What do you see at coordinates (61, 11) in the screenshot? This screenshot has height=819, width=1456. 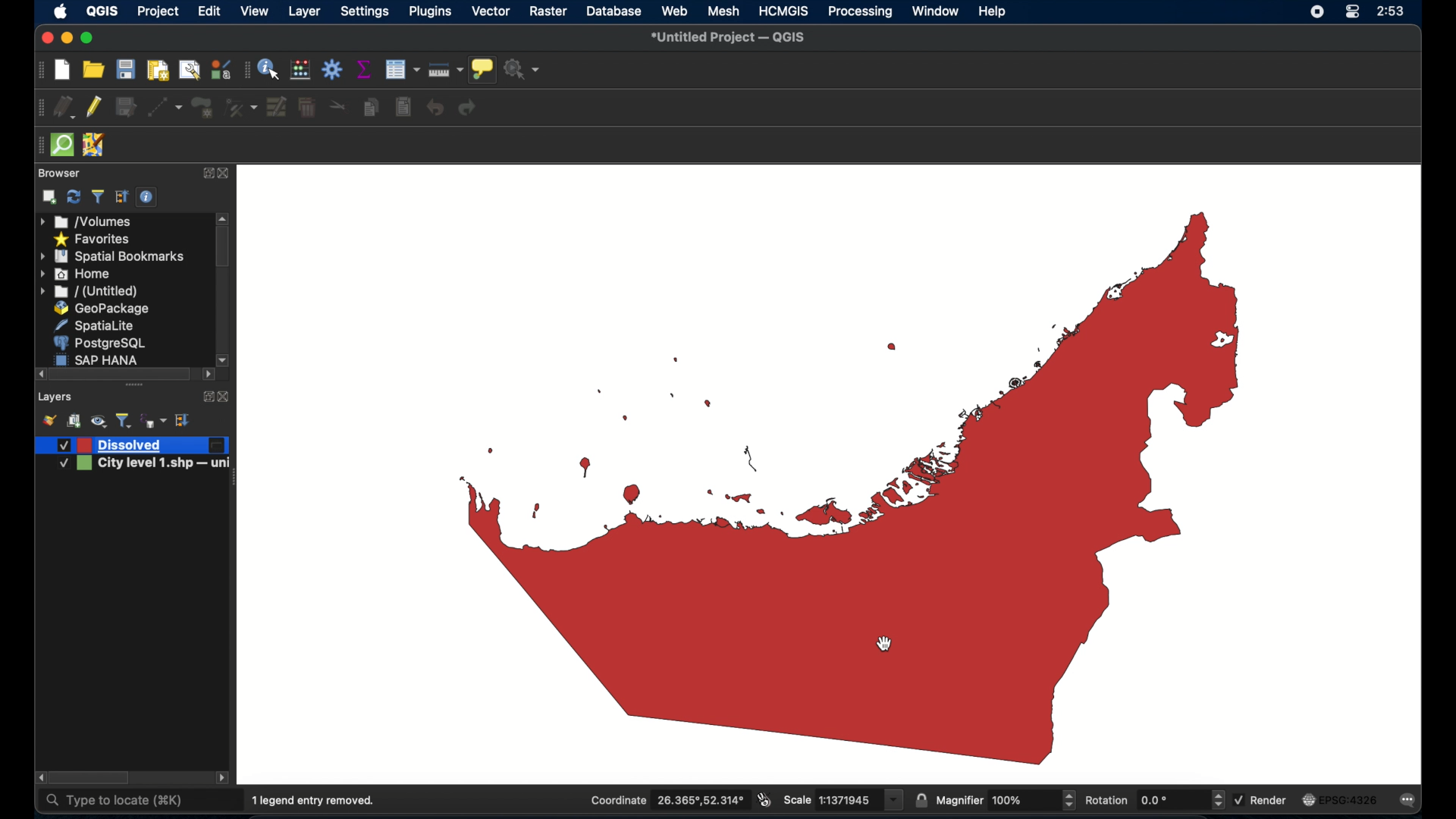 I see `apple icon` at bounding box center [61, 11].